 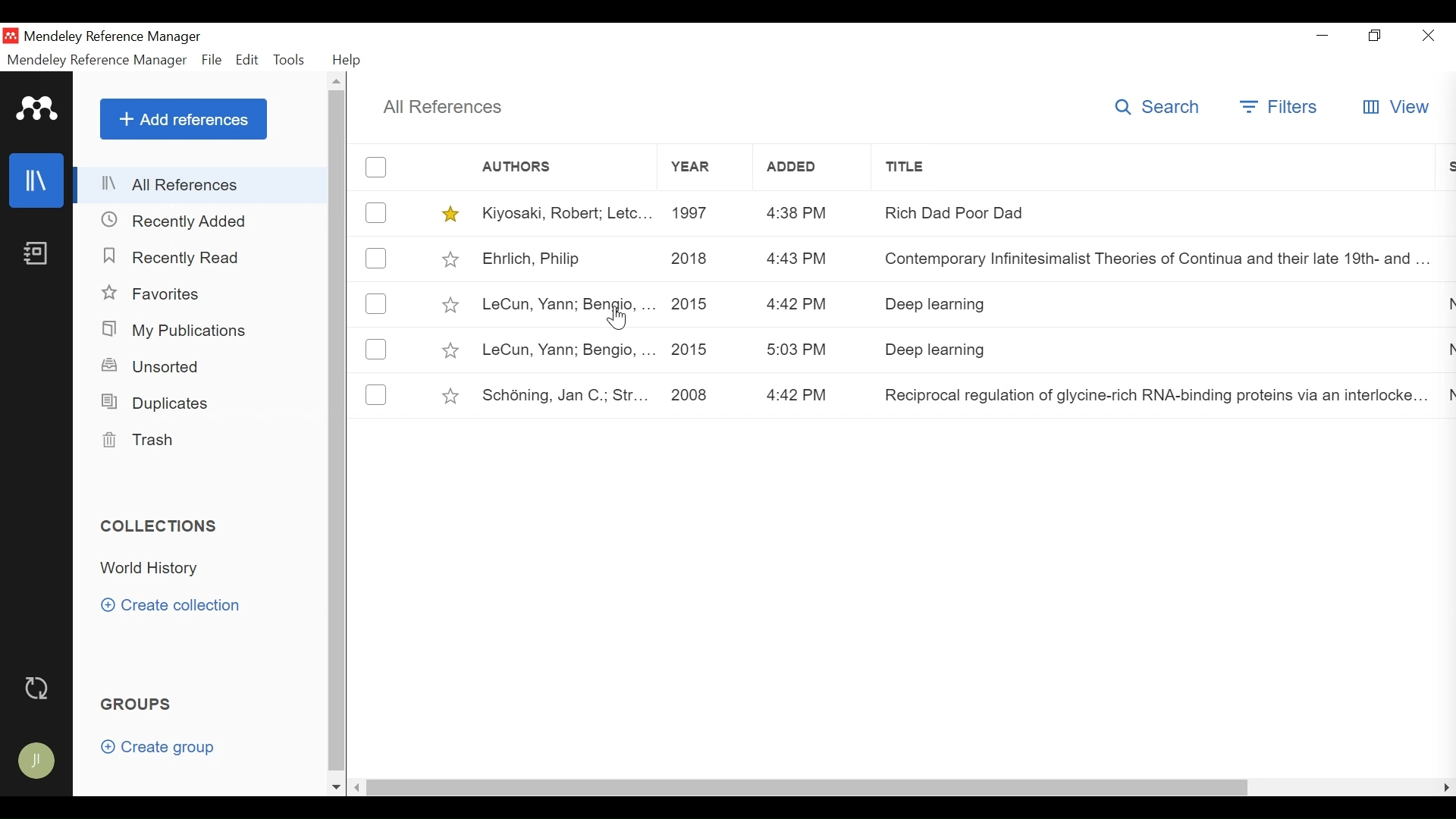 What do you see at coordinates (248, 60) in the screenshot?
I see `Edit` at bounding box center [248, 60].